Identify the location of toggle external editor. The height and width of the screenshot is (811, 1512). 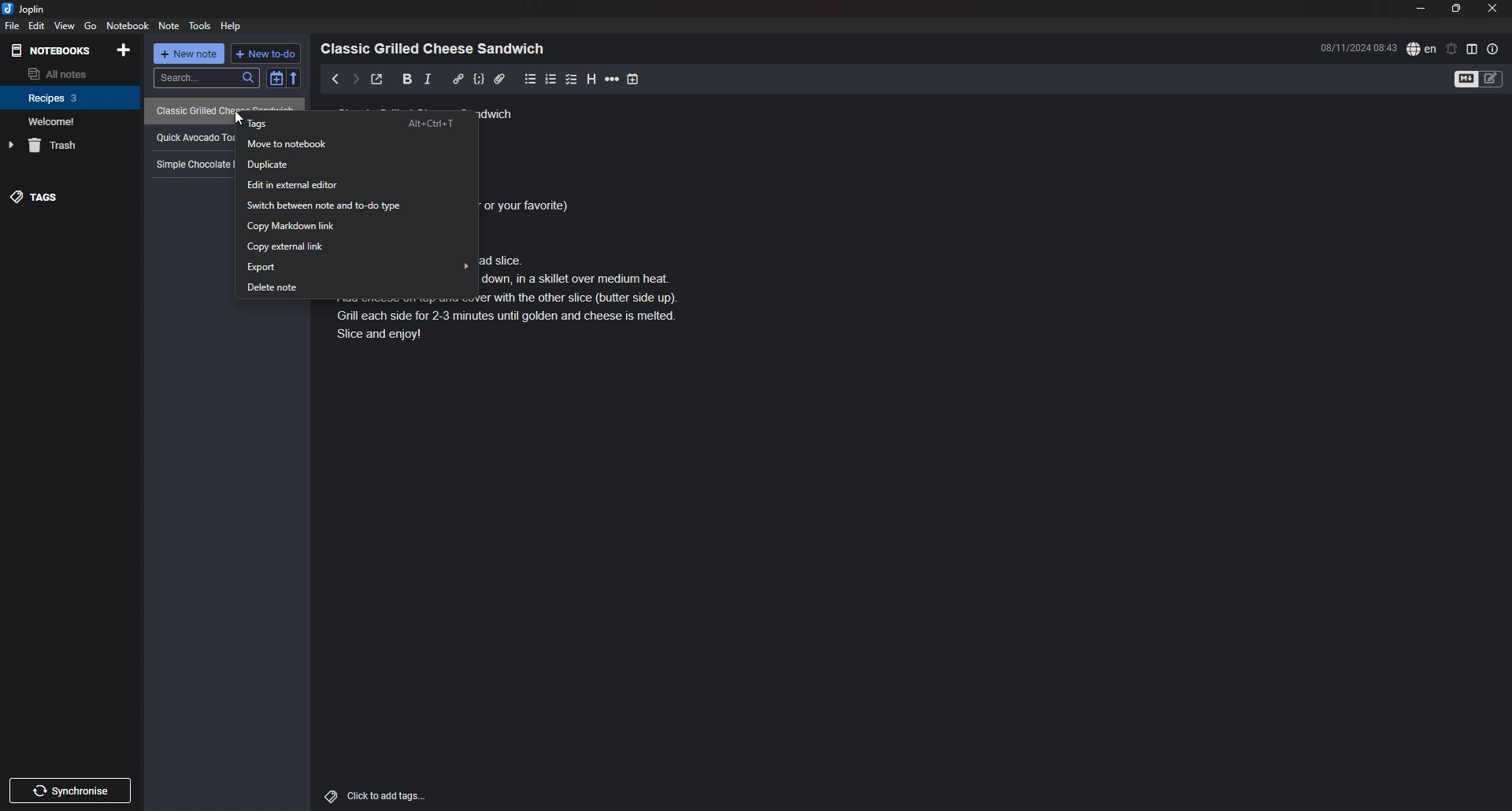
(378, 79).